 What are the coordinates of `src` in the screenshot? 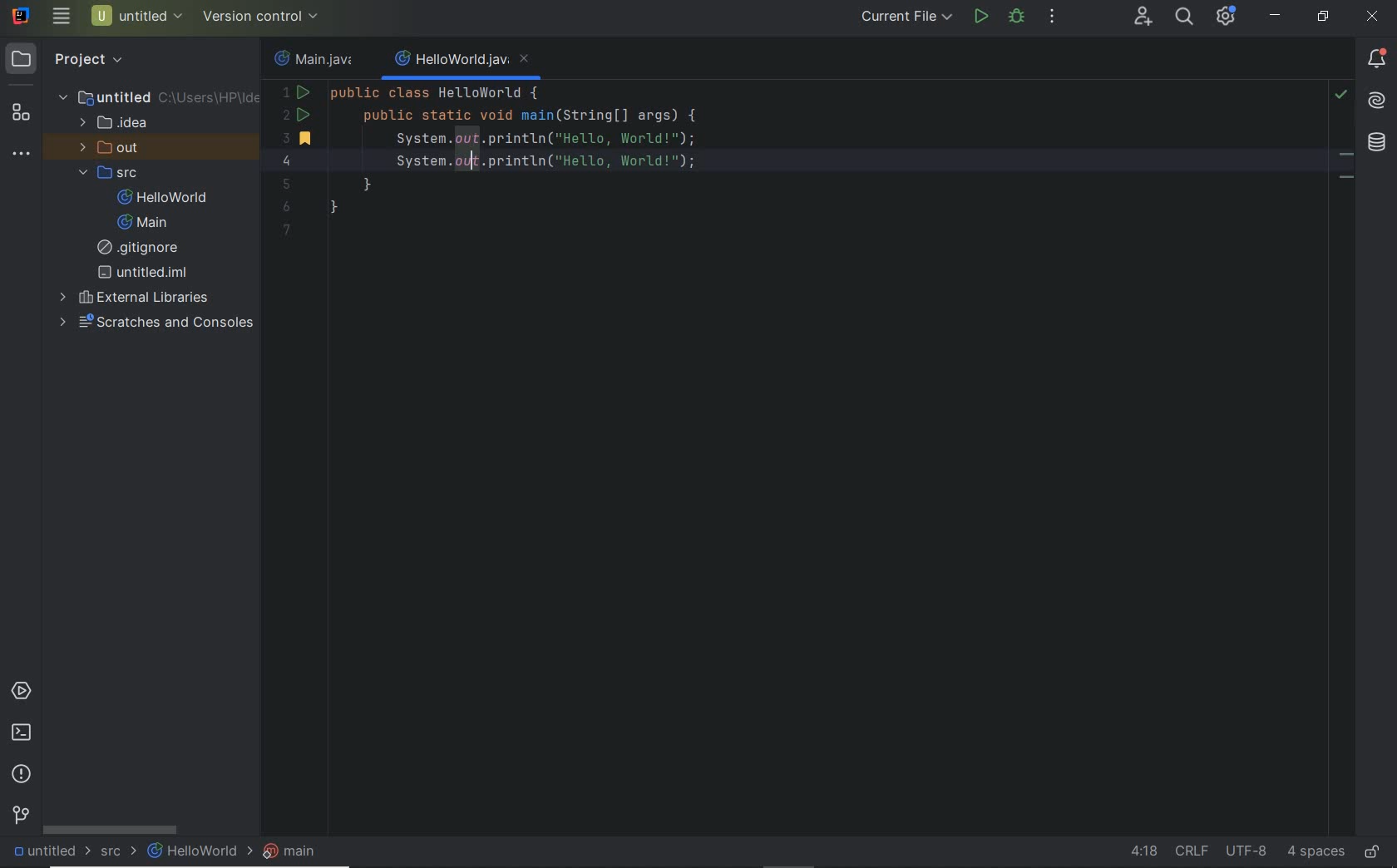 It's located at (108, 174).